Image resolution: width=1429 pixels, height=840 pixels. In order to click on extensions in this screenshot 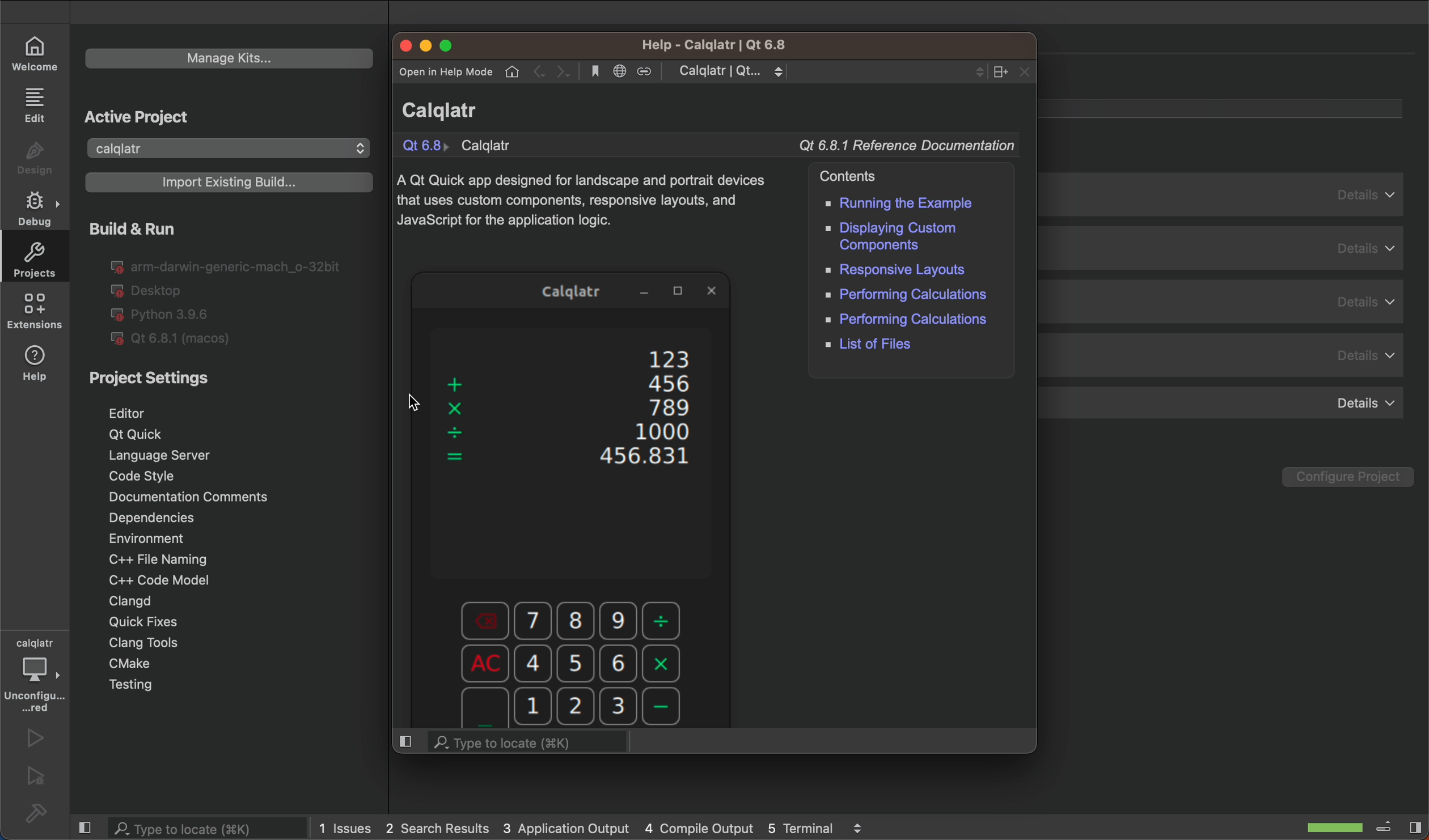, I will do `click(33, 315)`.